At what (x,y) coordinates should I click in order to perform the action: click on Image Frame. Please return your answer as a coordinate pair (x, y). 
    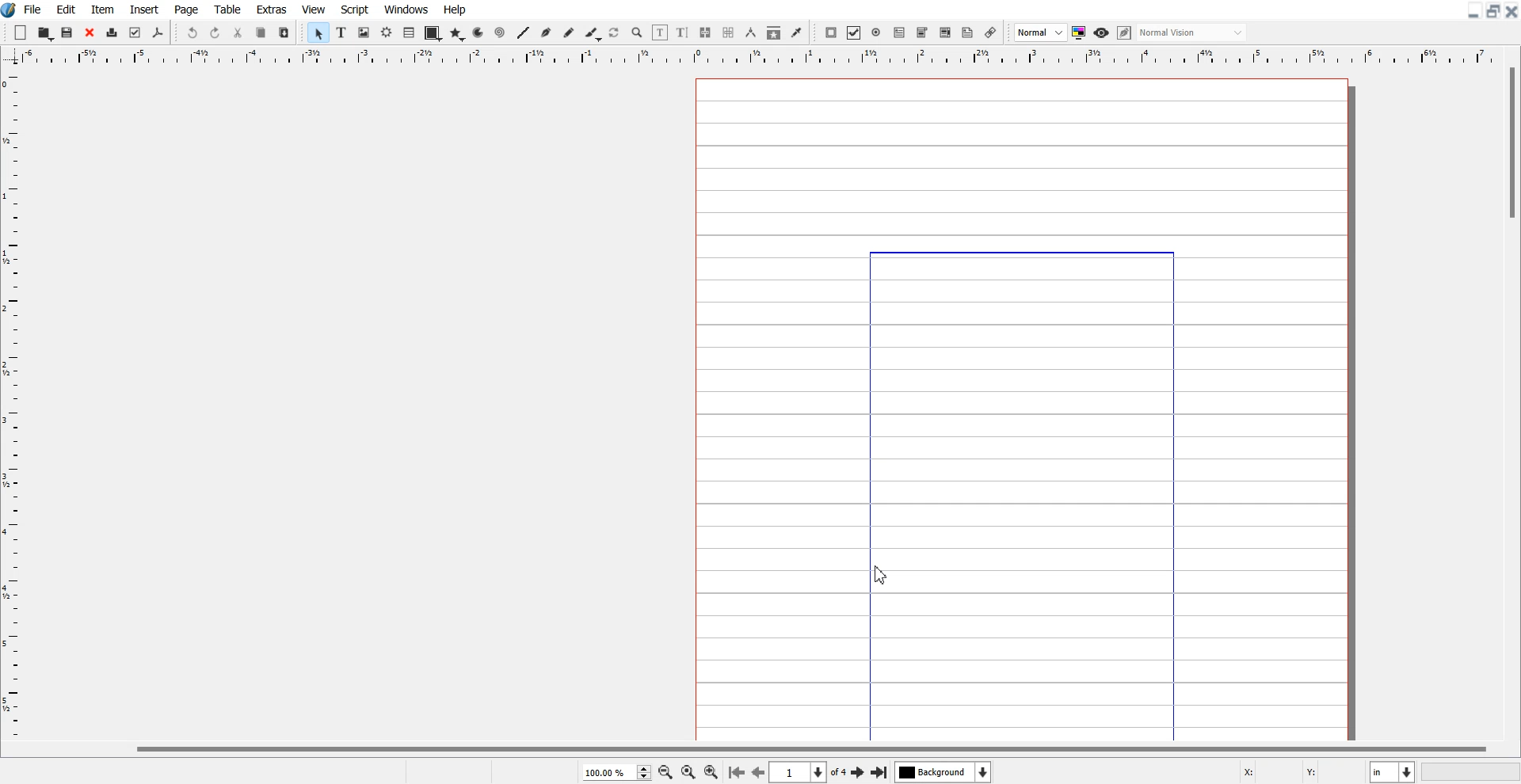
    Looking at the image, I should click on (364, 32).